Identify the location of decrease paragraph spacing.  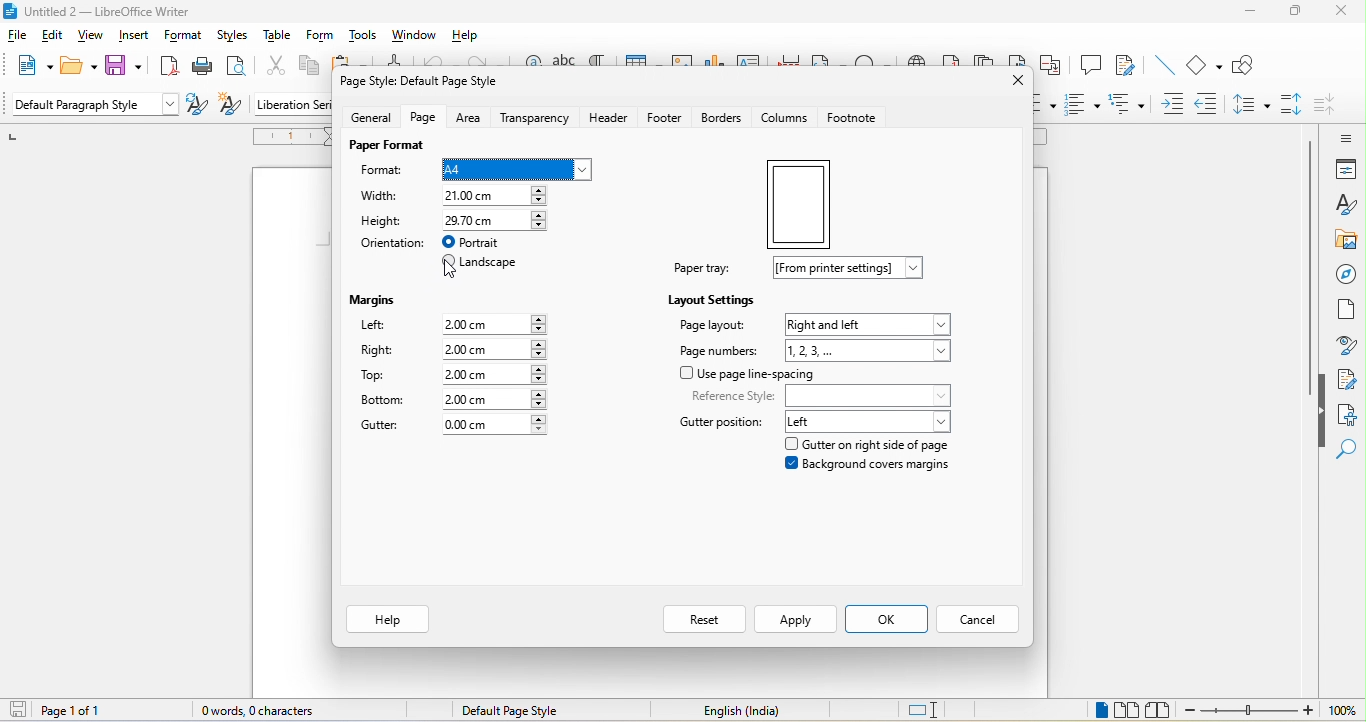
(1332, 105).